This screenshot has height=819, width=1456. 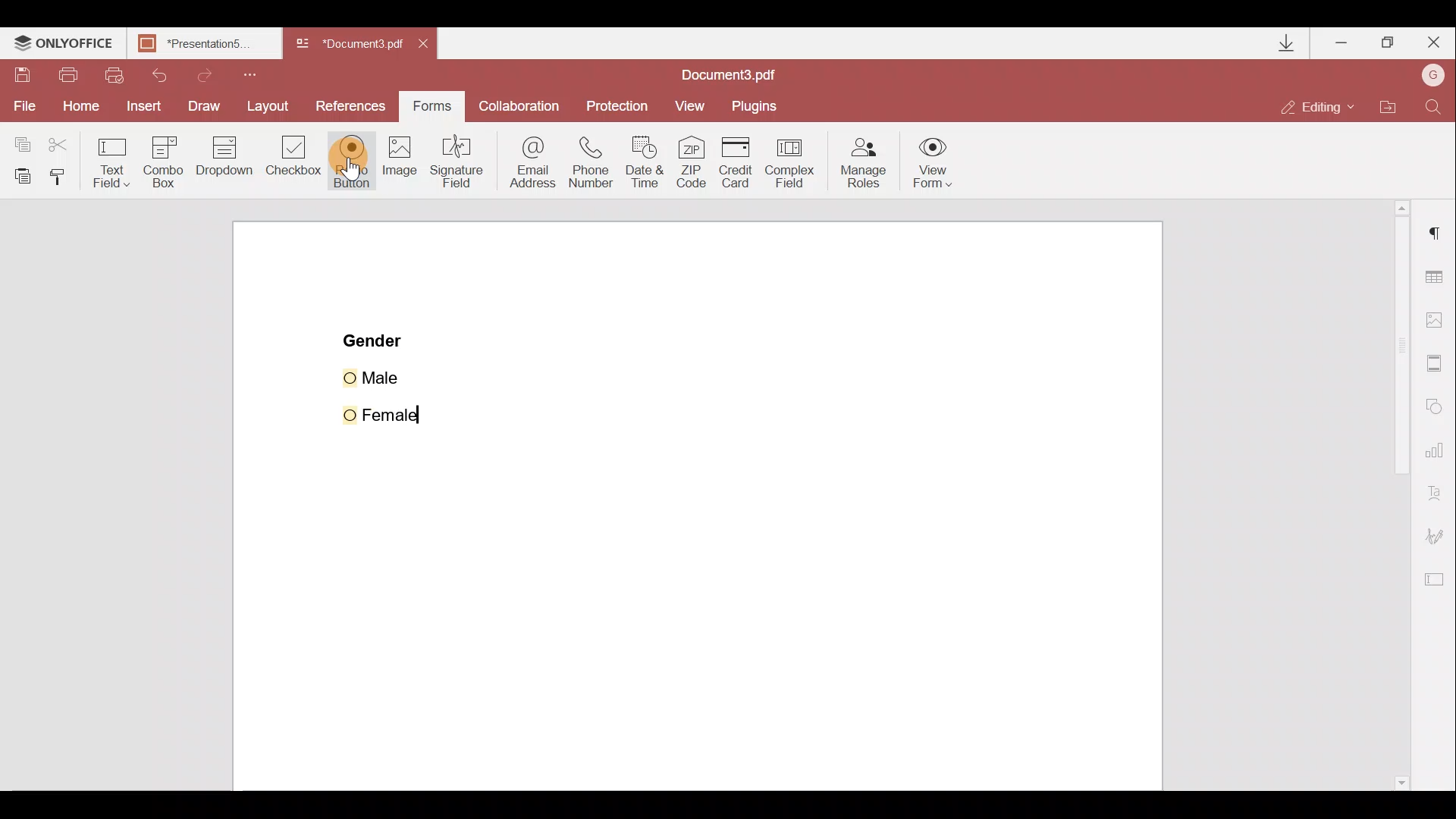 What do you see at coordinates (619, 102) in the screenshot?
I see `Protection` at bounding box center [619, 102].